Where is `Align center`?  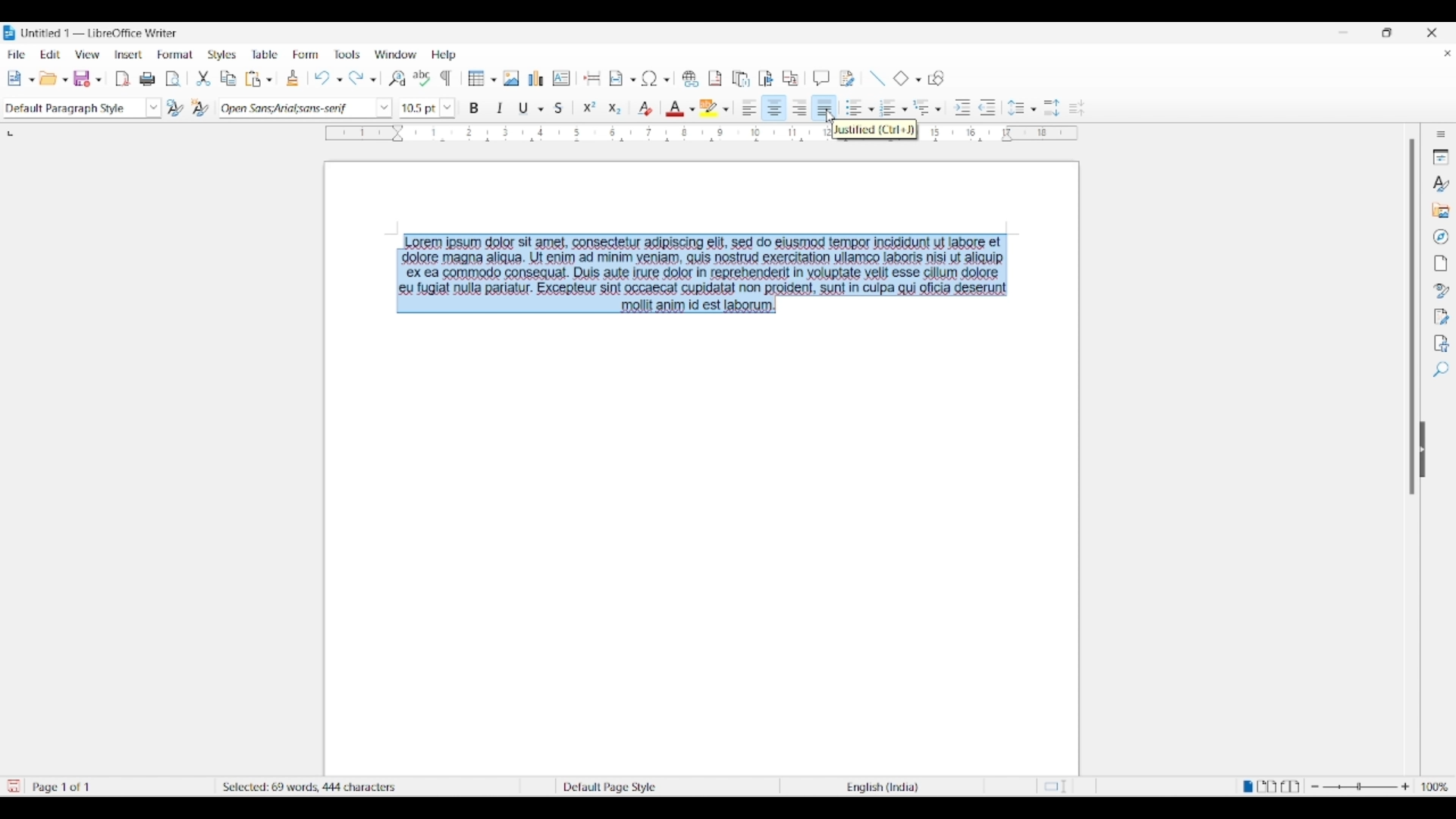 Align center is located at coordinates (774, 108).